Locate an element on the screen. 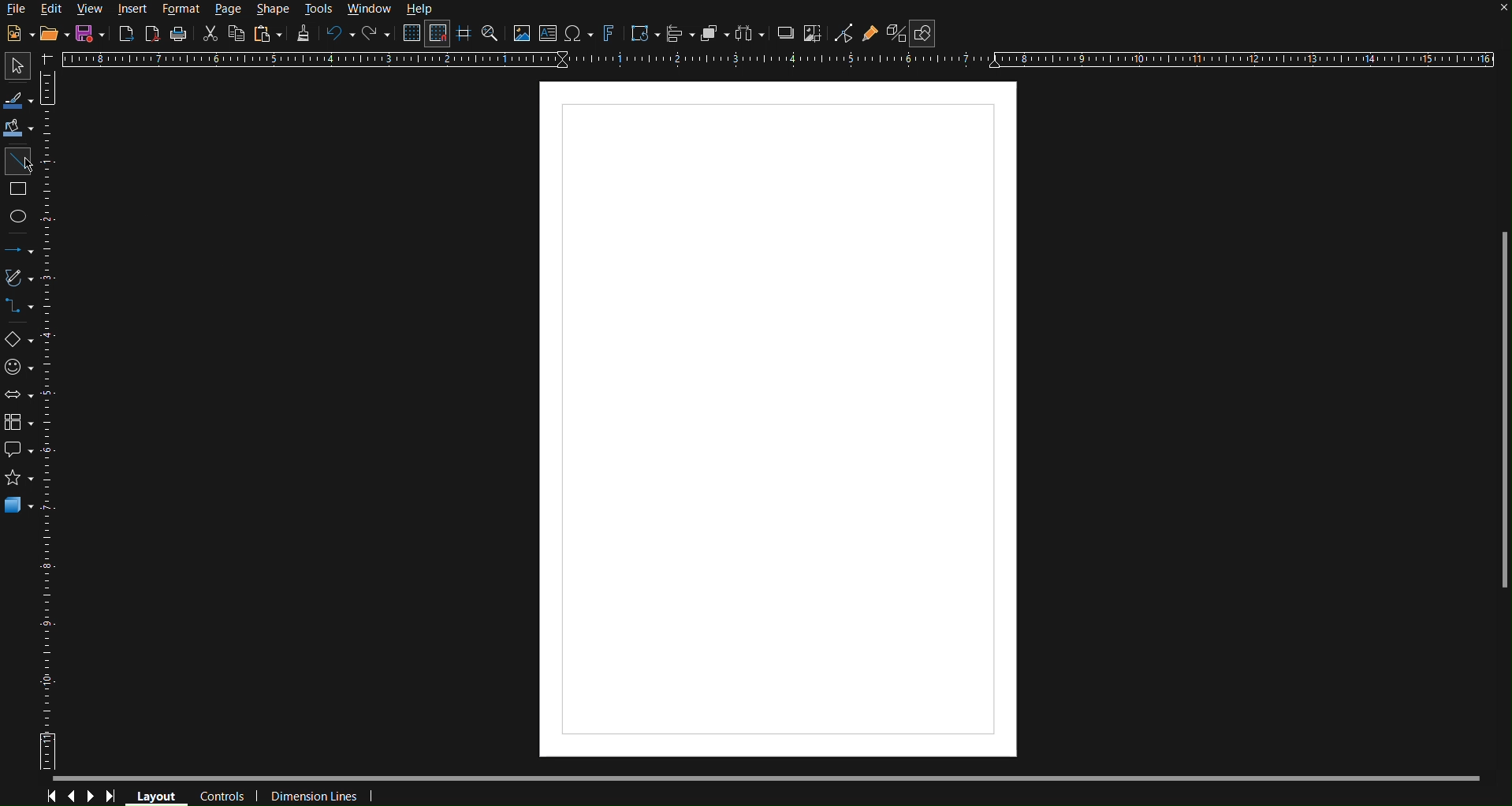  Tools is located at coordinates (319, 10).